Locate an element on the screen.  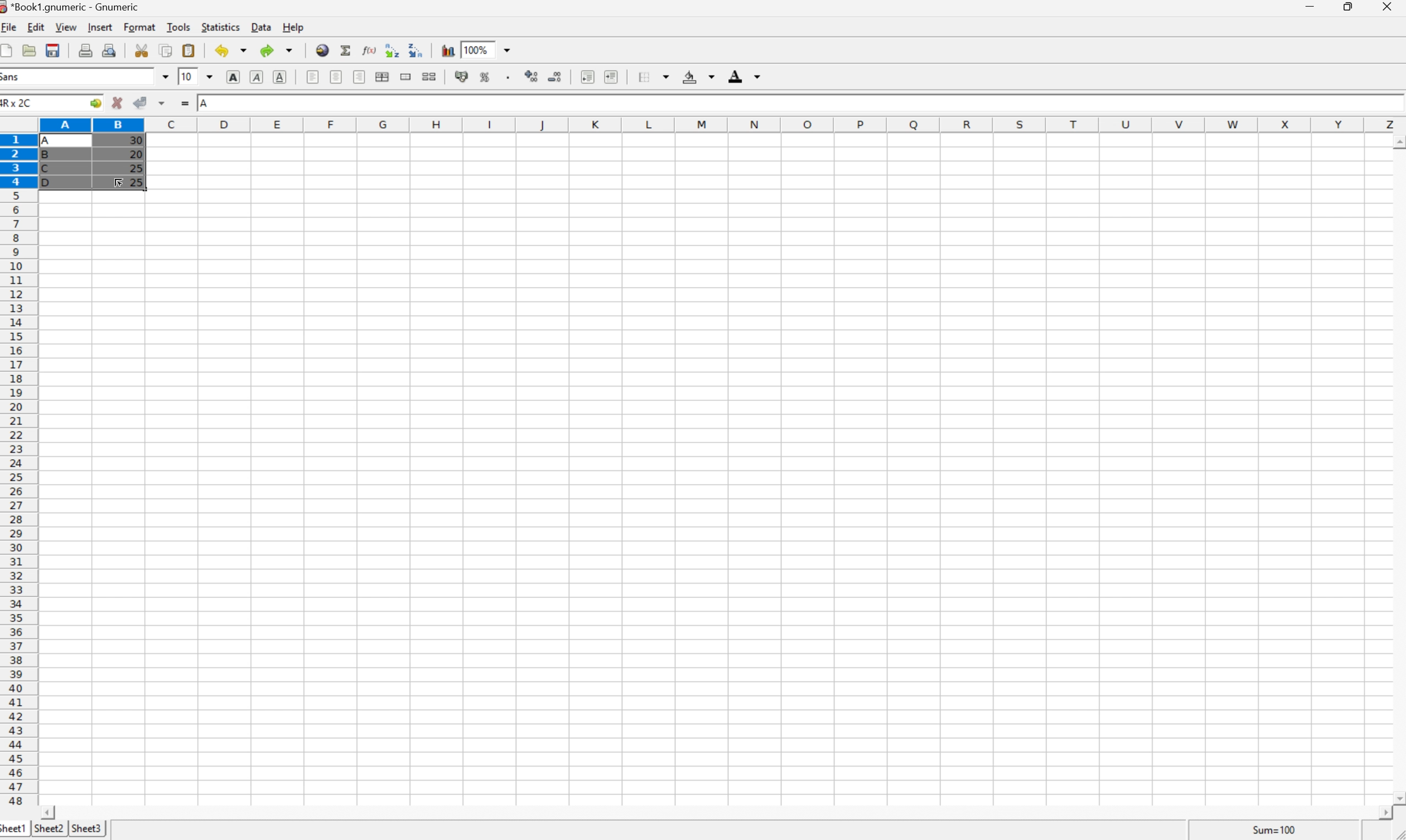
Help is located at coordinates (294, 27).